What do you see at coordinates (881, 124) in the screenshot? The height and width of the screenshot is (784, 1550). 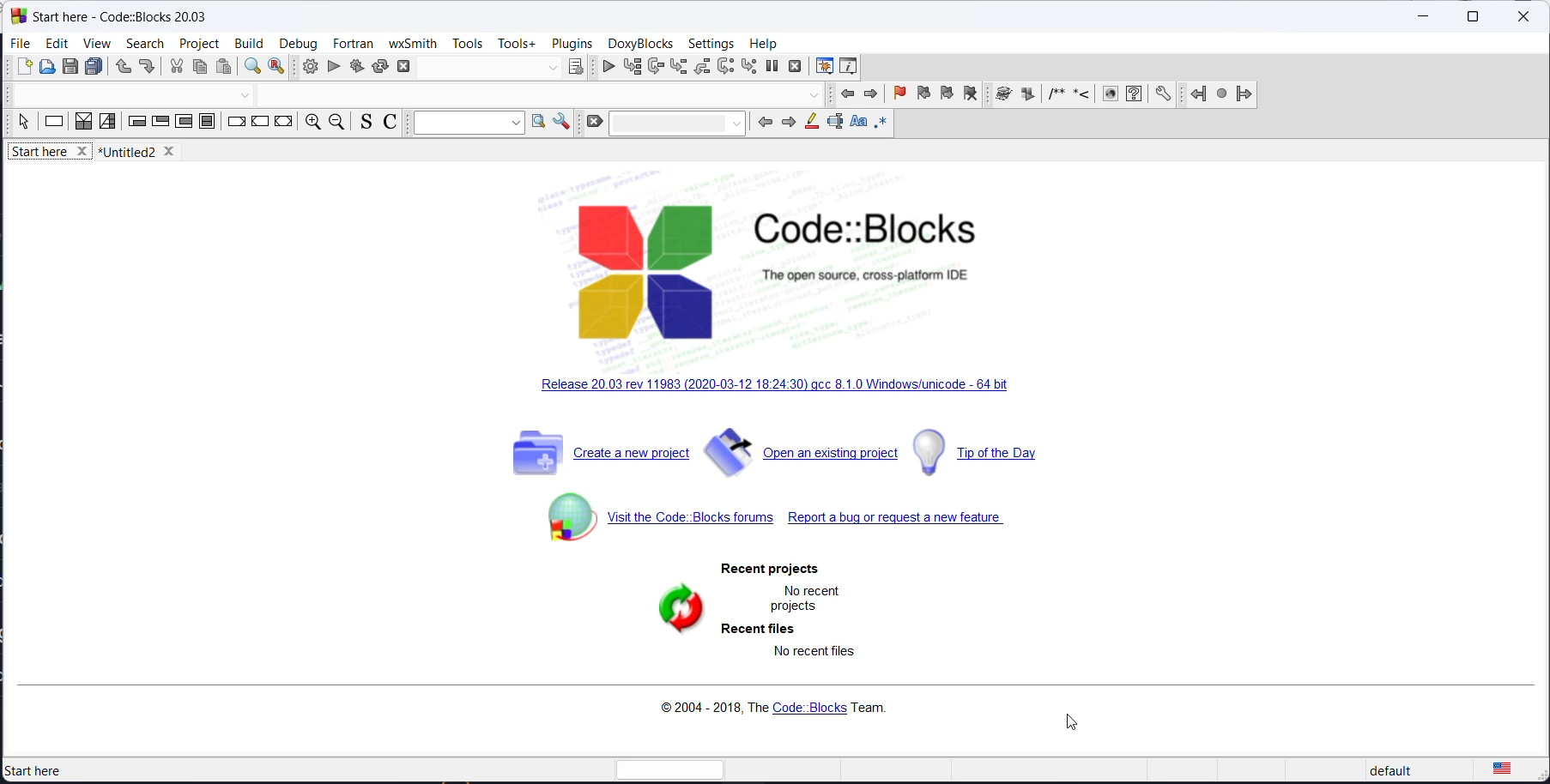 I see `regex` at bounding box center [881, 124].